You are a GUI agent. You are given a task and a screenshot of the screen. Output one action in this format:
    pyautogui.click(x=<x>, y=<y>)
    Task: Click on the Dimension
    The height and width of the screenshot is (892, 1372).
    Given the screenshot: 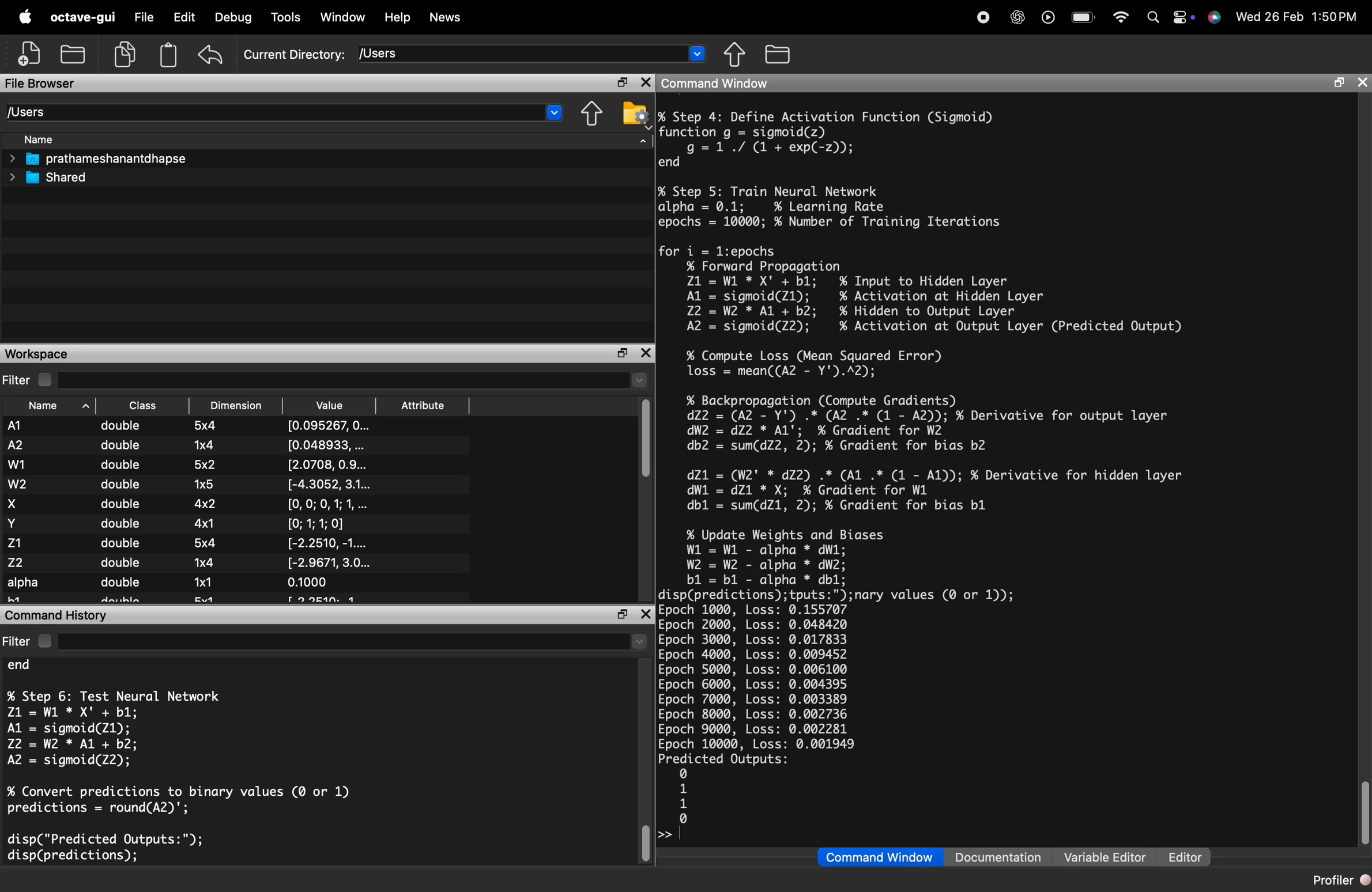 What is the action you would take?
    pyautogui.click(x=235, y=406)
    